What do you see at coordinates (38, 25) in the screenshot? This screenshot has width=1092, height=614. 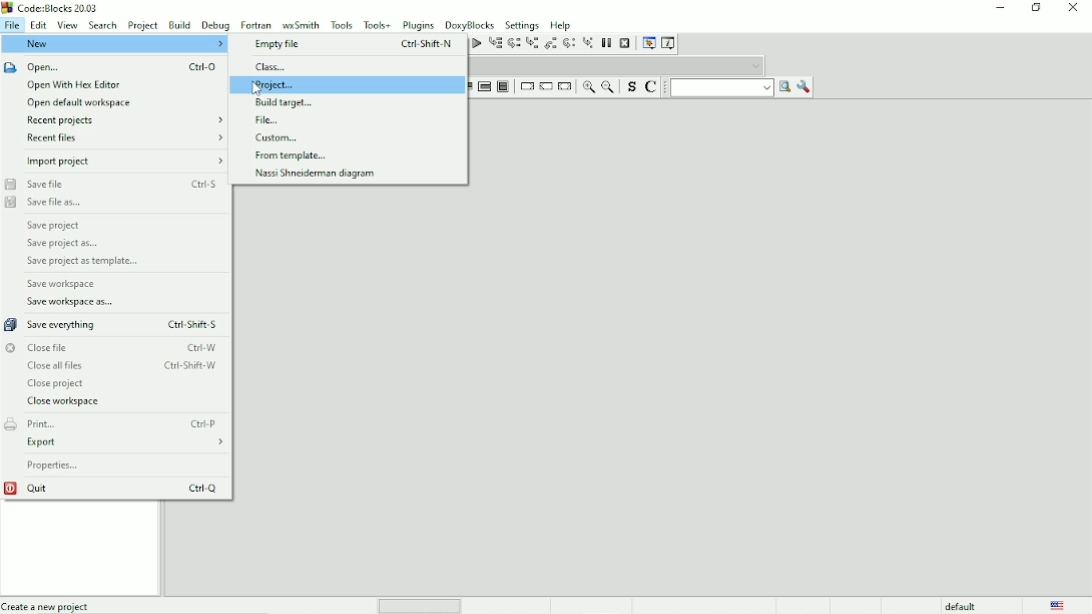 I see `Edit` at bounding box center [38, 25].